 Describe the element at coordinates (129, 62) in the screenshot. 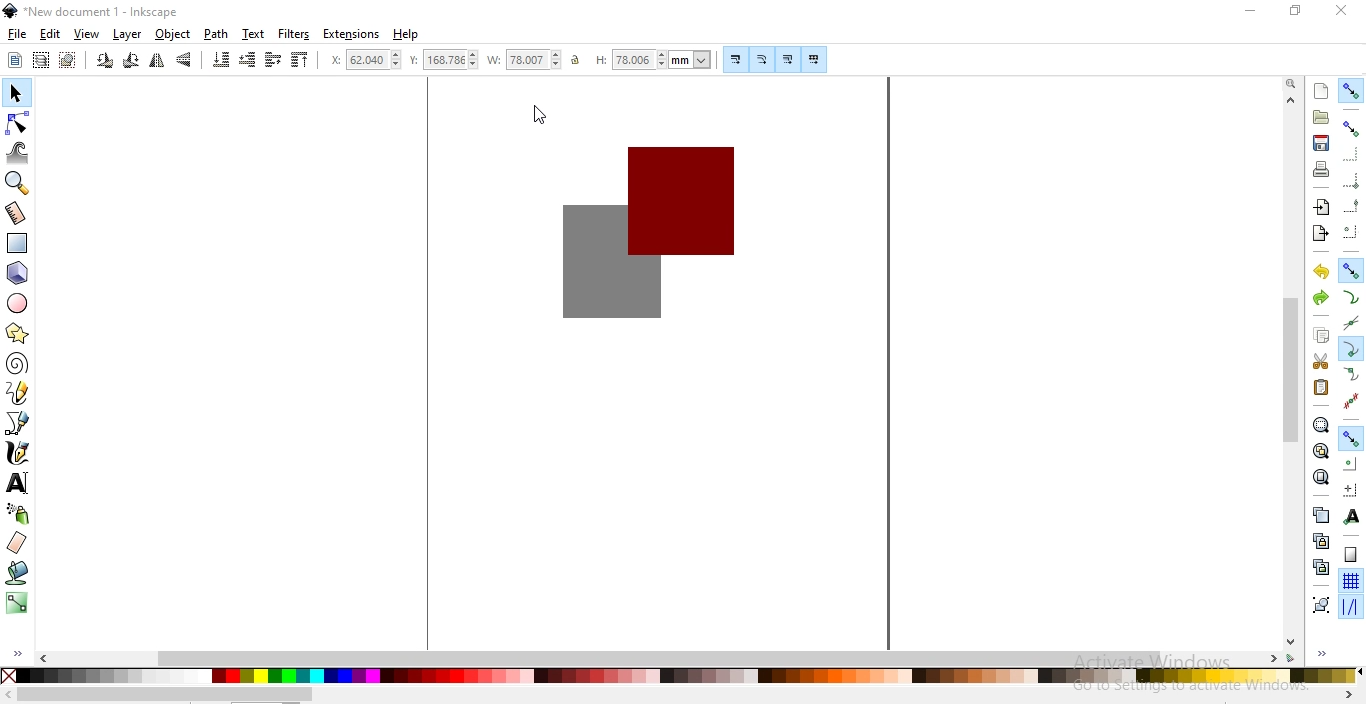

I see `rotate 90 clockwise` at that location.